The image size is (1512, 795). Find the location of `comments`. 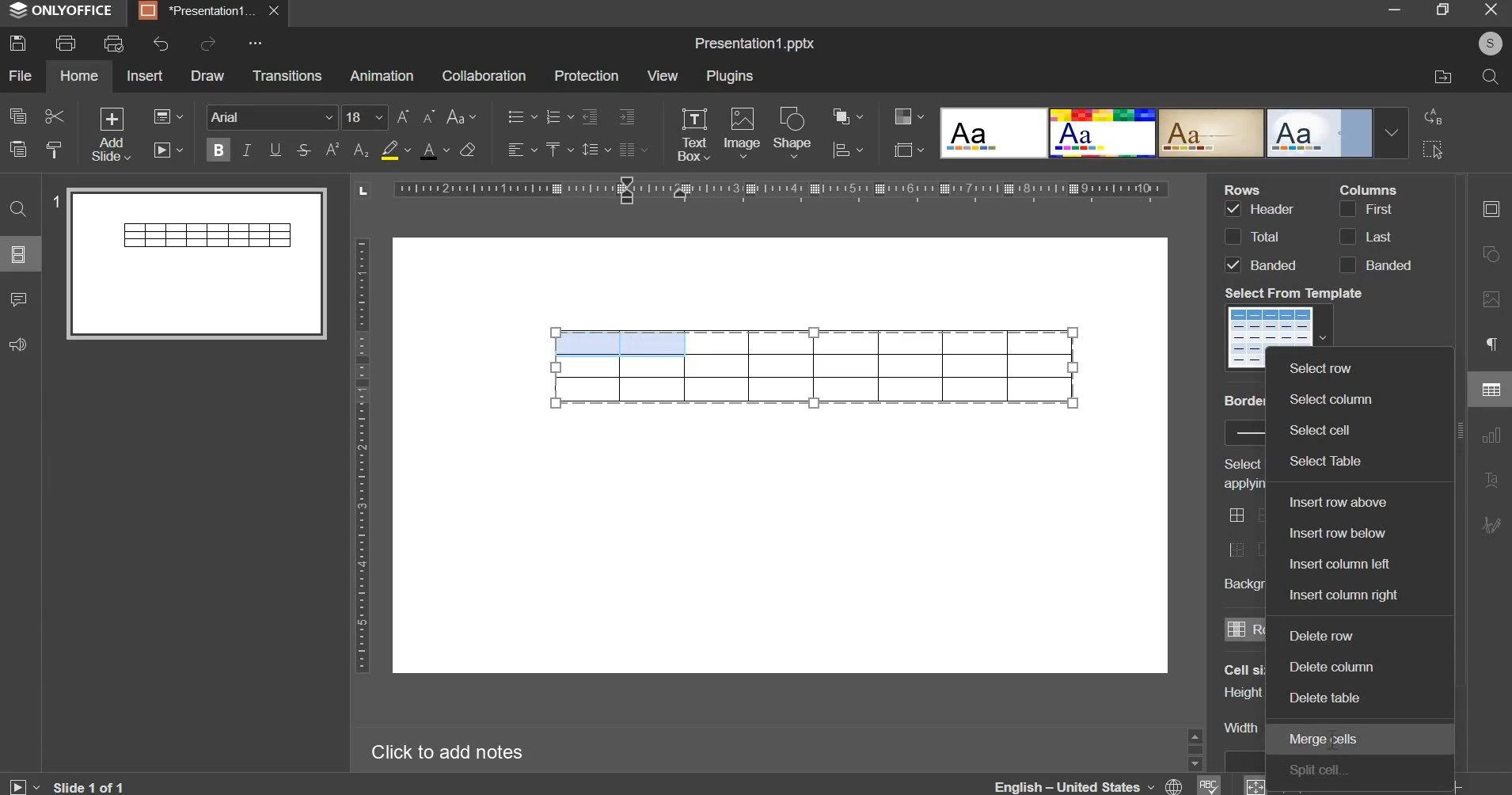

comments is located at coordinates (18, 299).